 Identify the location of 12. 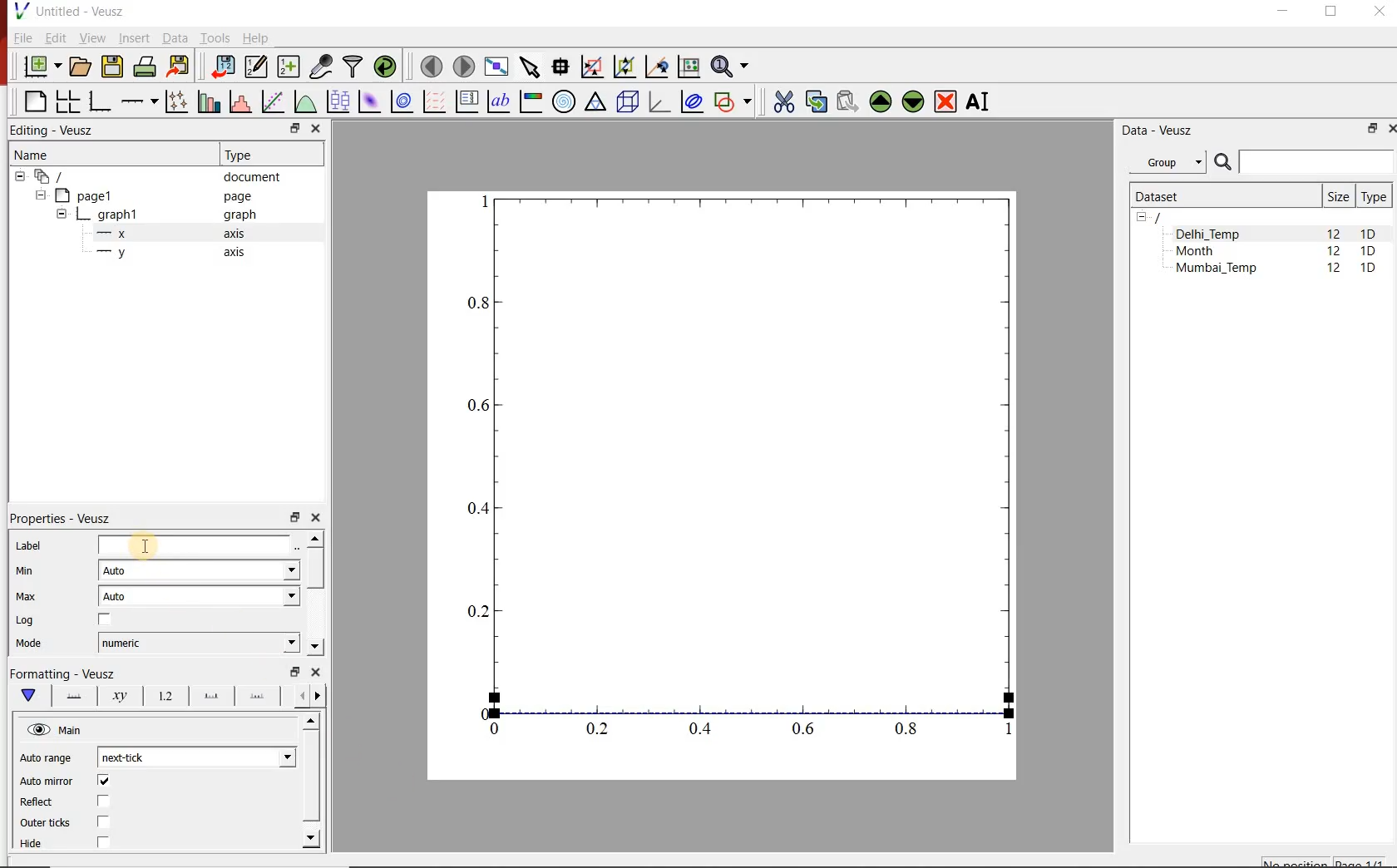
(1334, 253).